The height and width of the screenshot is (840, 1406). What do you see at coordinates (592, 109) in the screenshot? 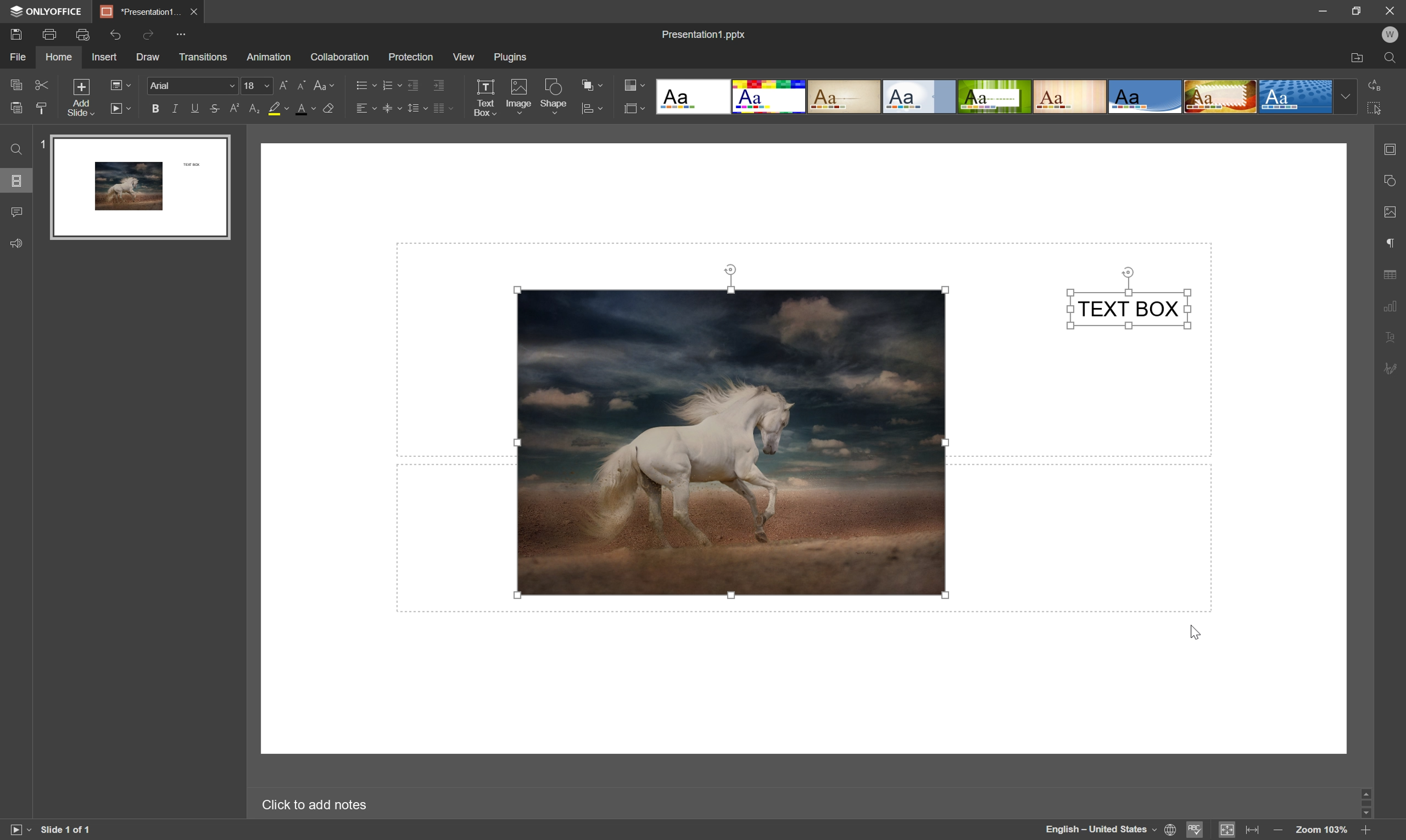
I see `arrange shape` at bounding box center [592, 109].